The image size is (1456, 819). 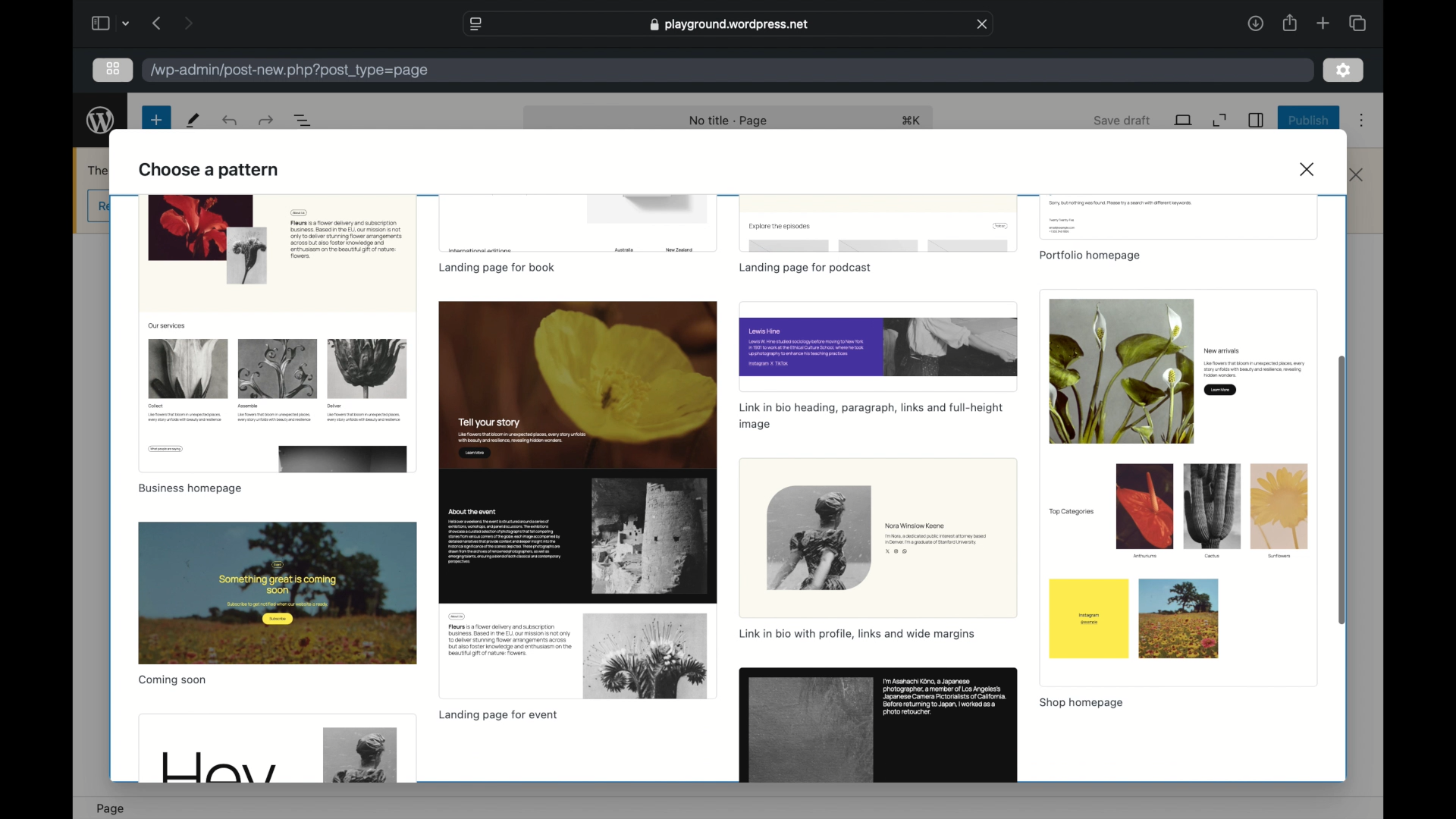 What do you see at coordinates (190, 22) in the screenshot?
I see `next page` at bounding box center [190, 22].